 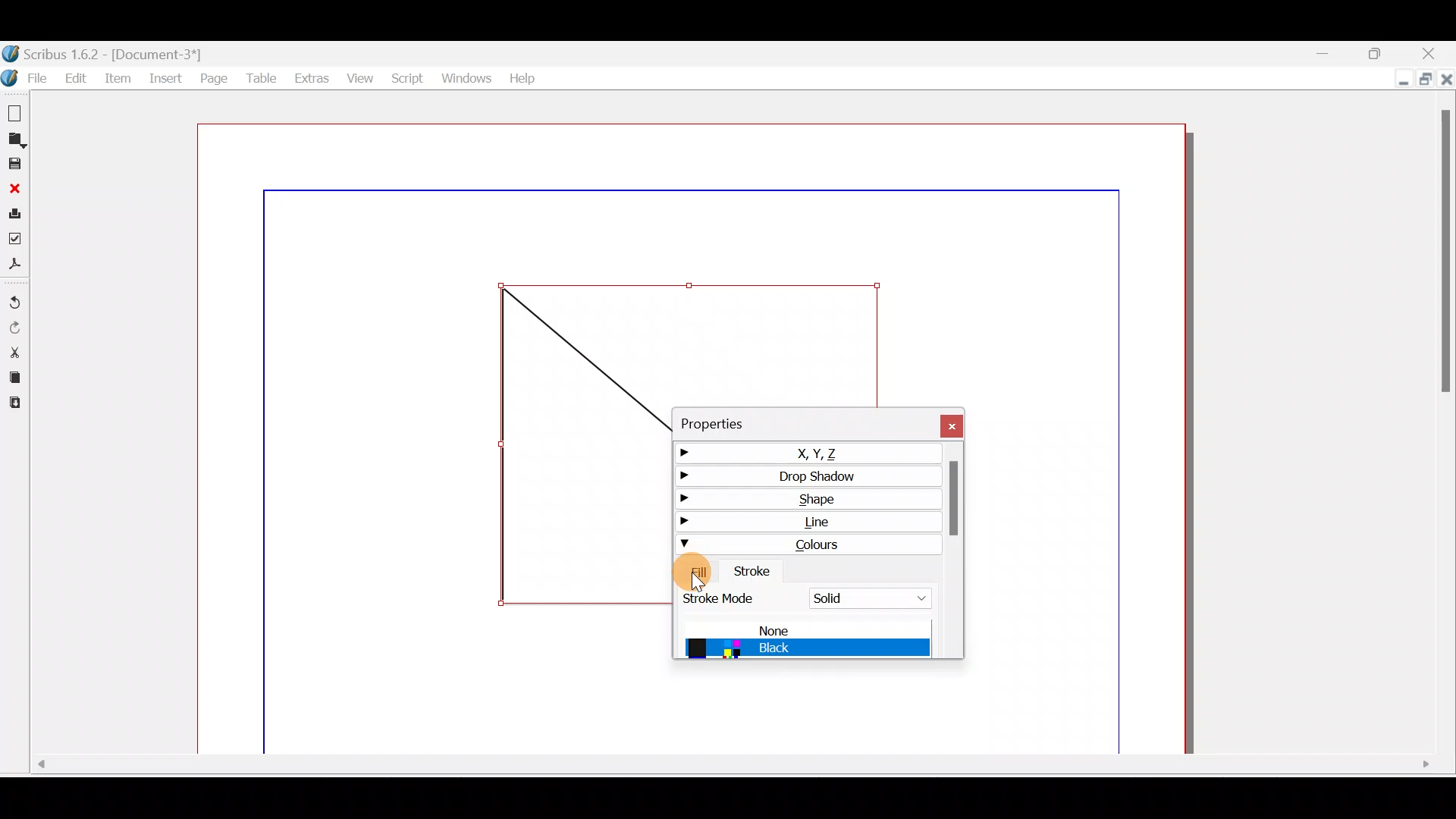 I want to click on Scroll bar, so click(x=726, y=768).